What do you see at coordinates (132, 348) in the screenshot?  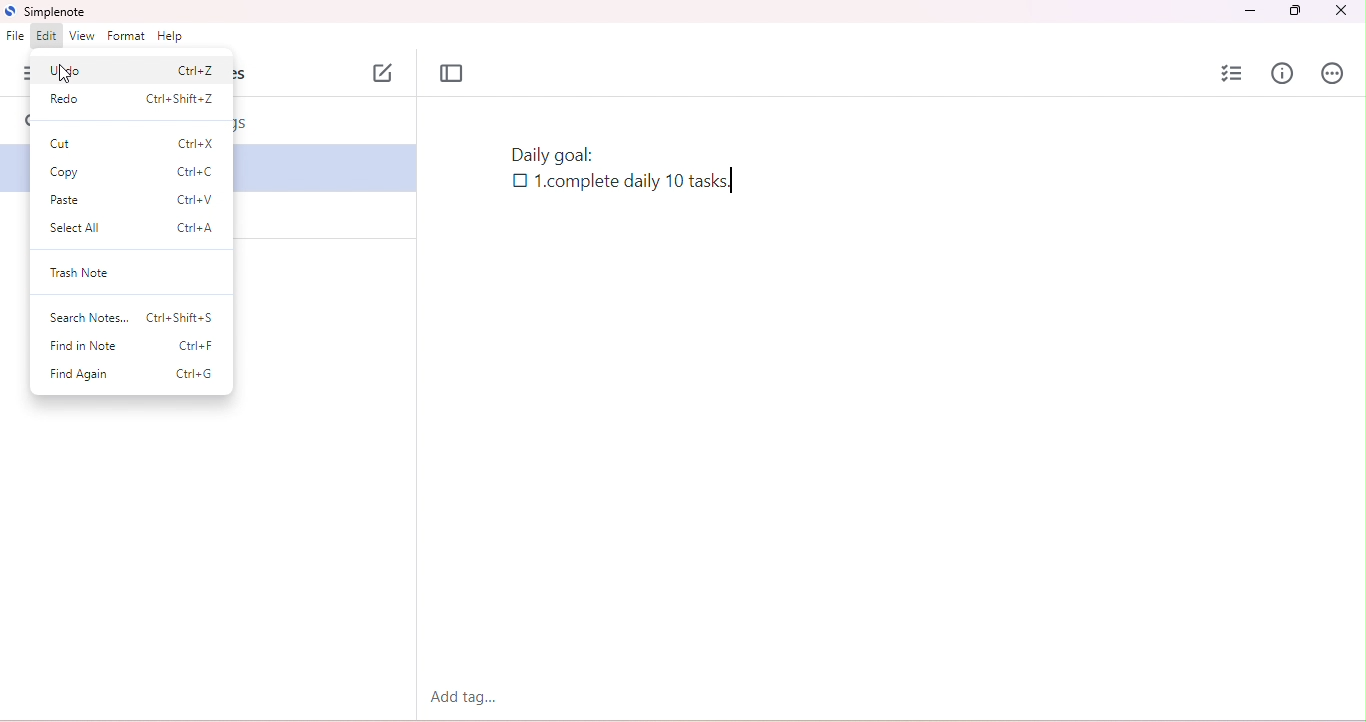 I see `find in note` at bounding box center [132, 348].